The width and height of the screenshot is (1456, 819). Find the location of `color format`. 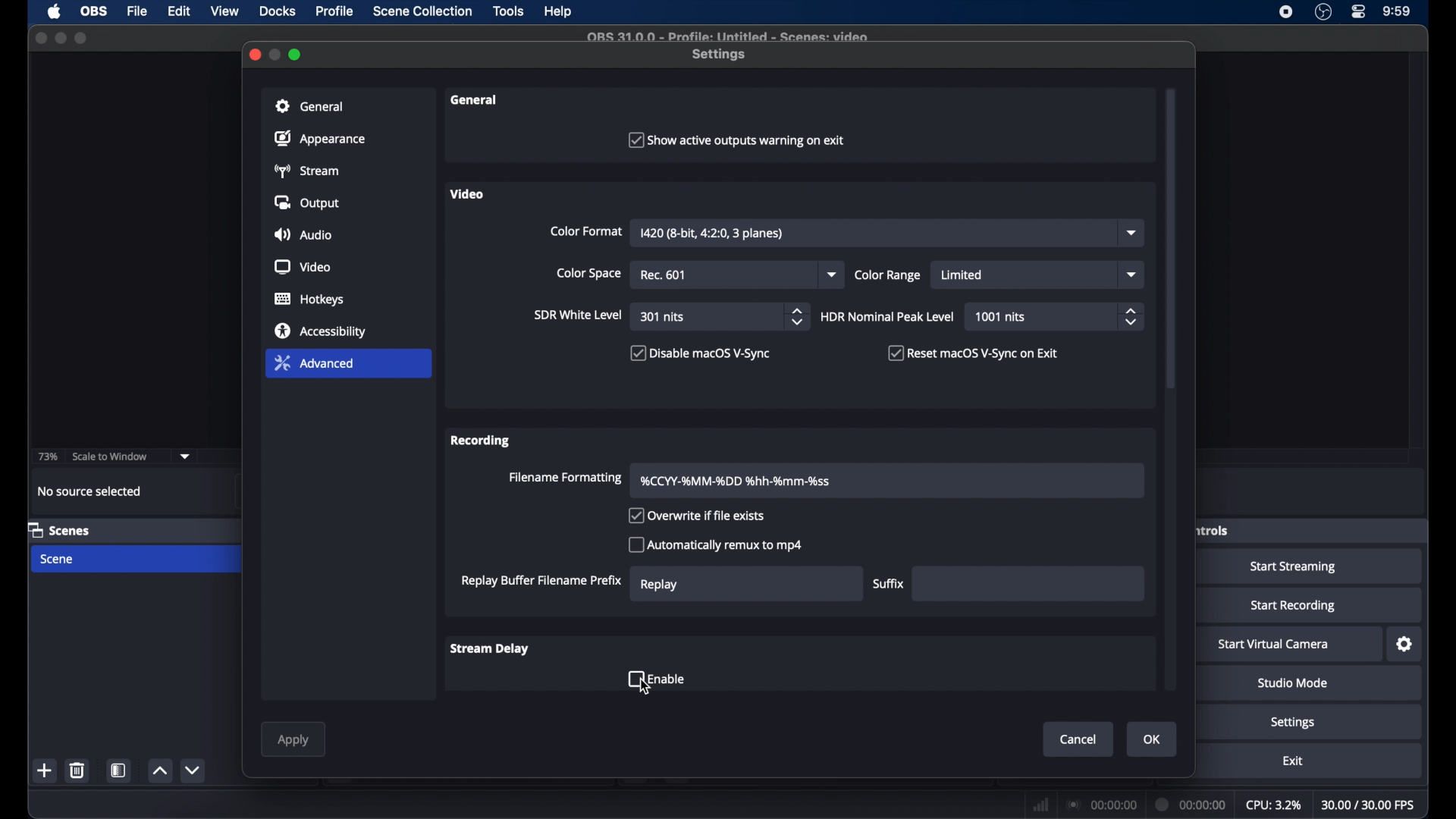

color format is located at coordinates (586, 231).